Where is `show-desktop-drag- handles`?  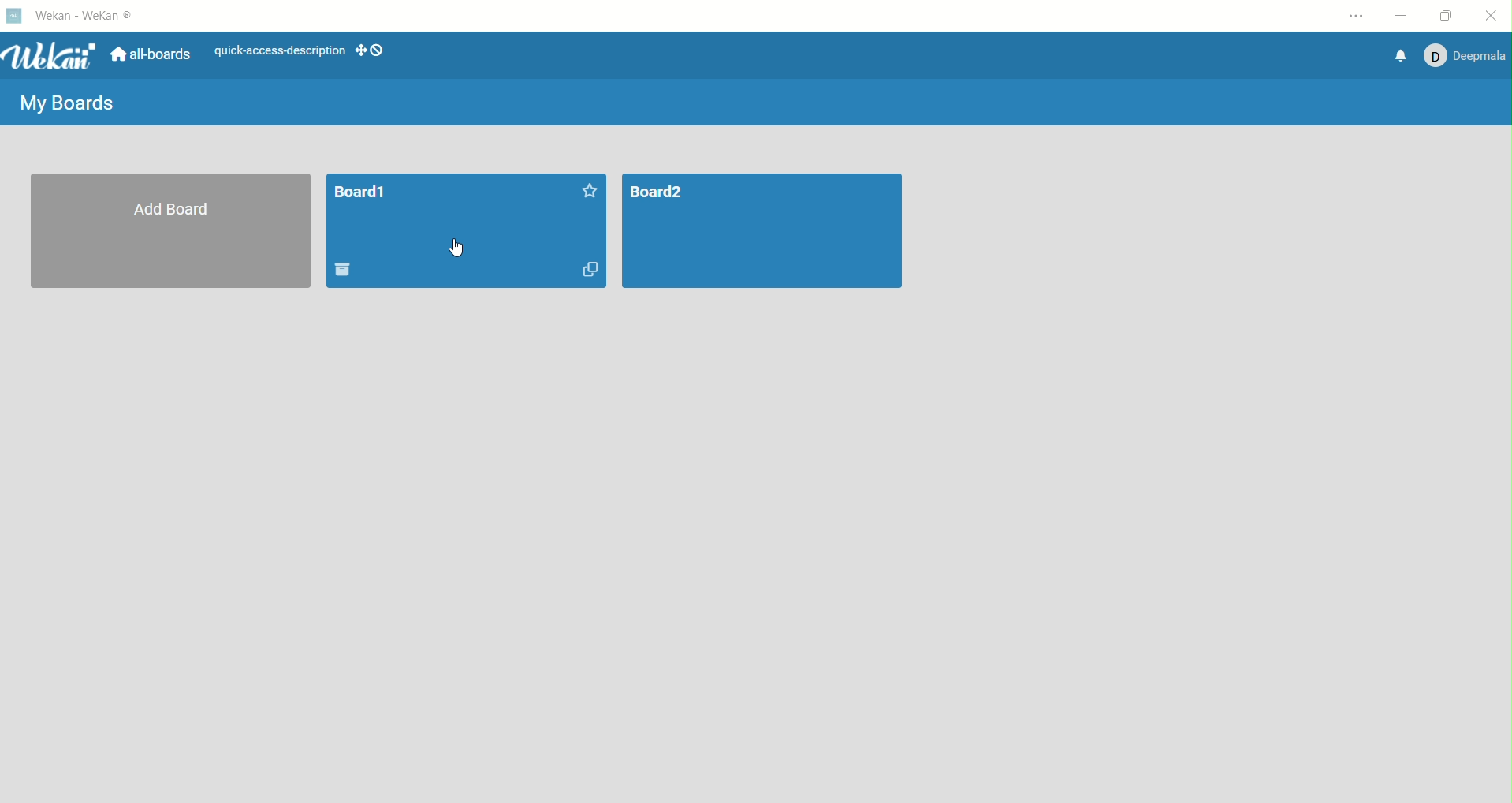 show-desktop-drag- handles is located at coordinates (378, 50).